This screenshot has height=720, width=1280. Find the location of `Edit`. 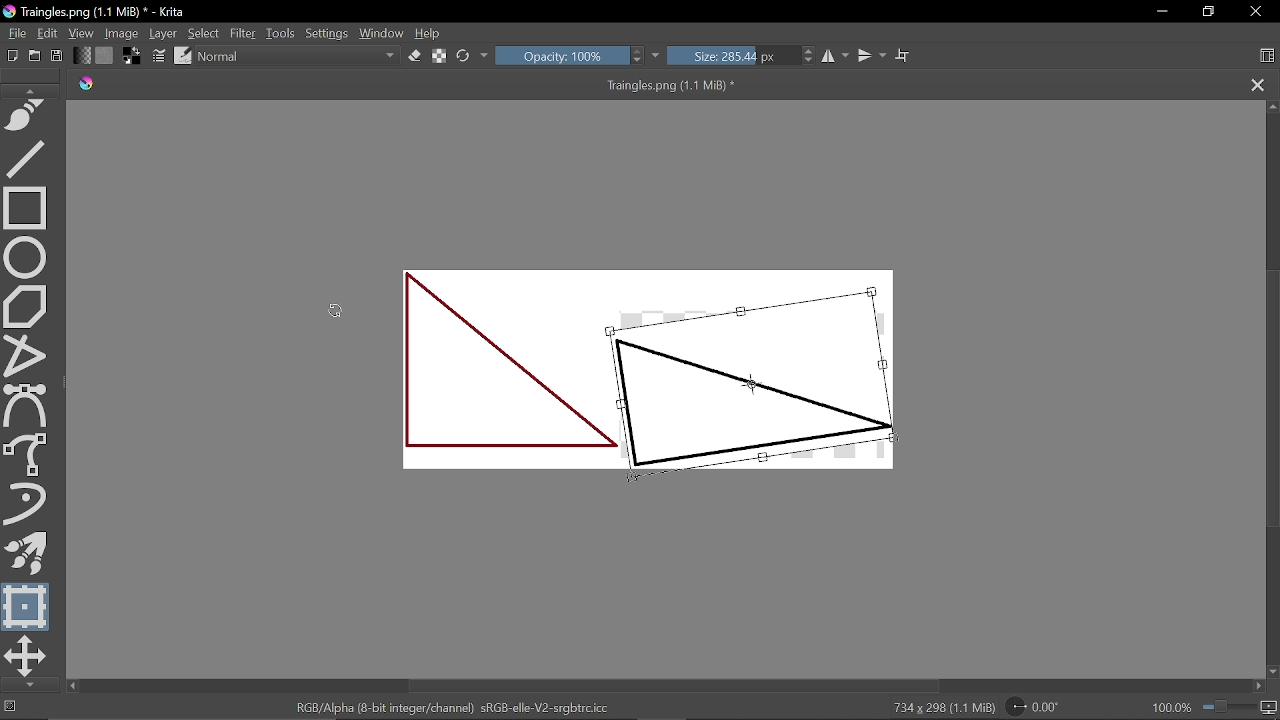

Edit is located at coordinates (48, 34).